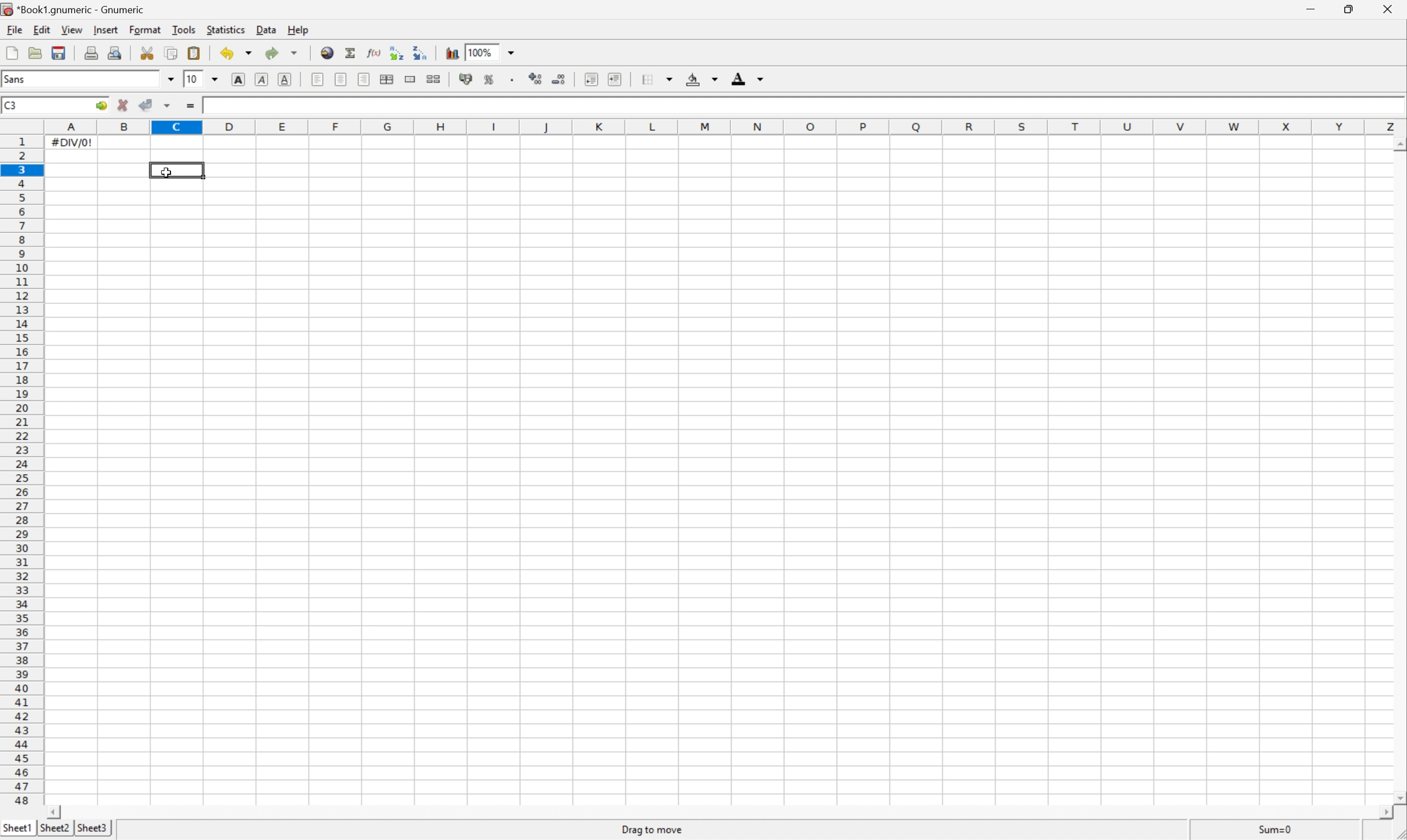  I want to click on cancel change, so click(124, 106).